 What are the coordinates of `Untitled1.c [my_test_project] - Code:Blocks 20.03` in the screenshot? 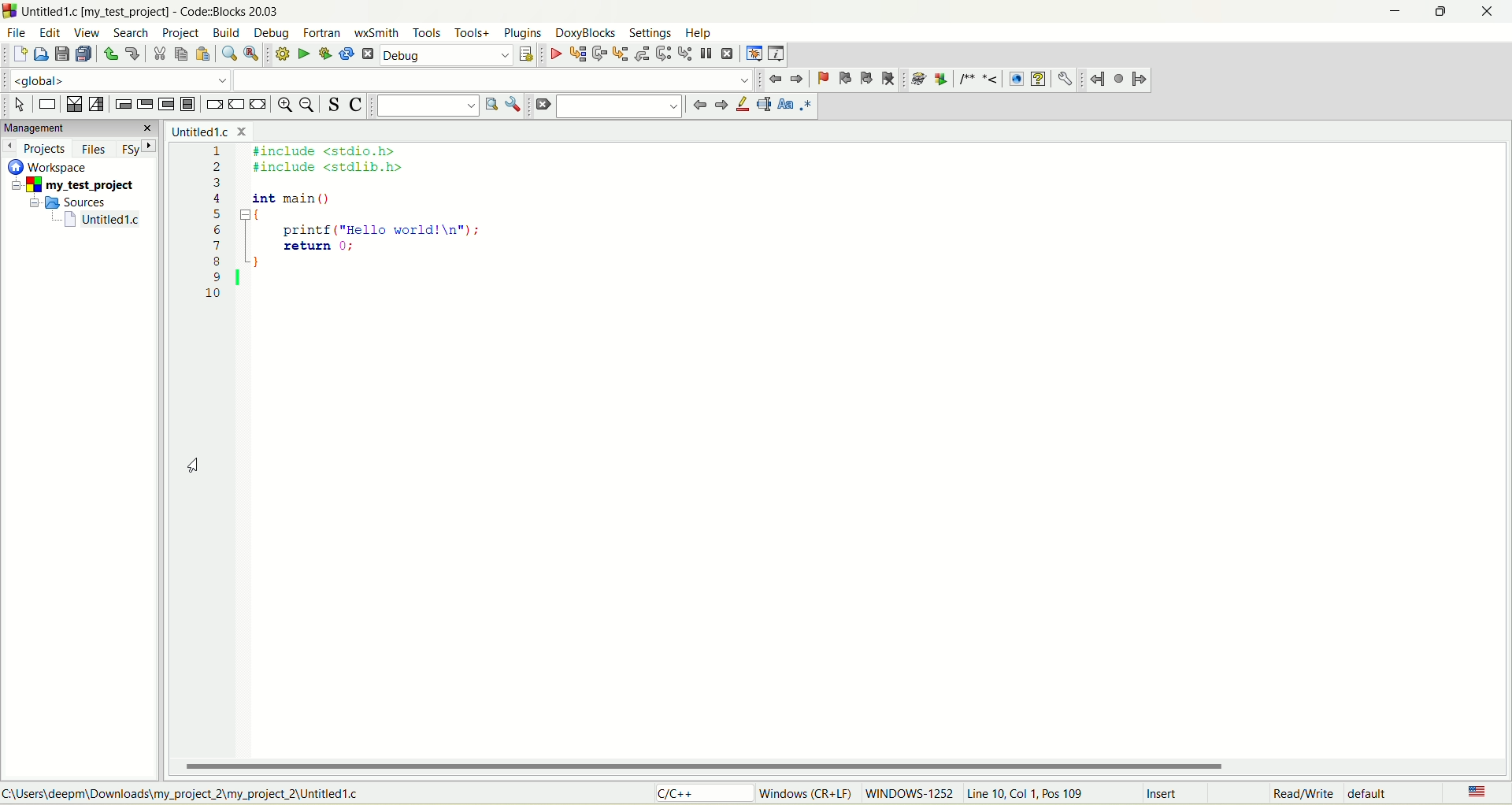 It's located at (148, 12).